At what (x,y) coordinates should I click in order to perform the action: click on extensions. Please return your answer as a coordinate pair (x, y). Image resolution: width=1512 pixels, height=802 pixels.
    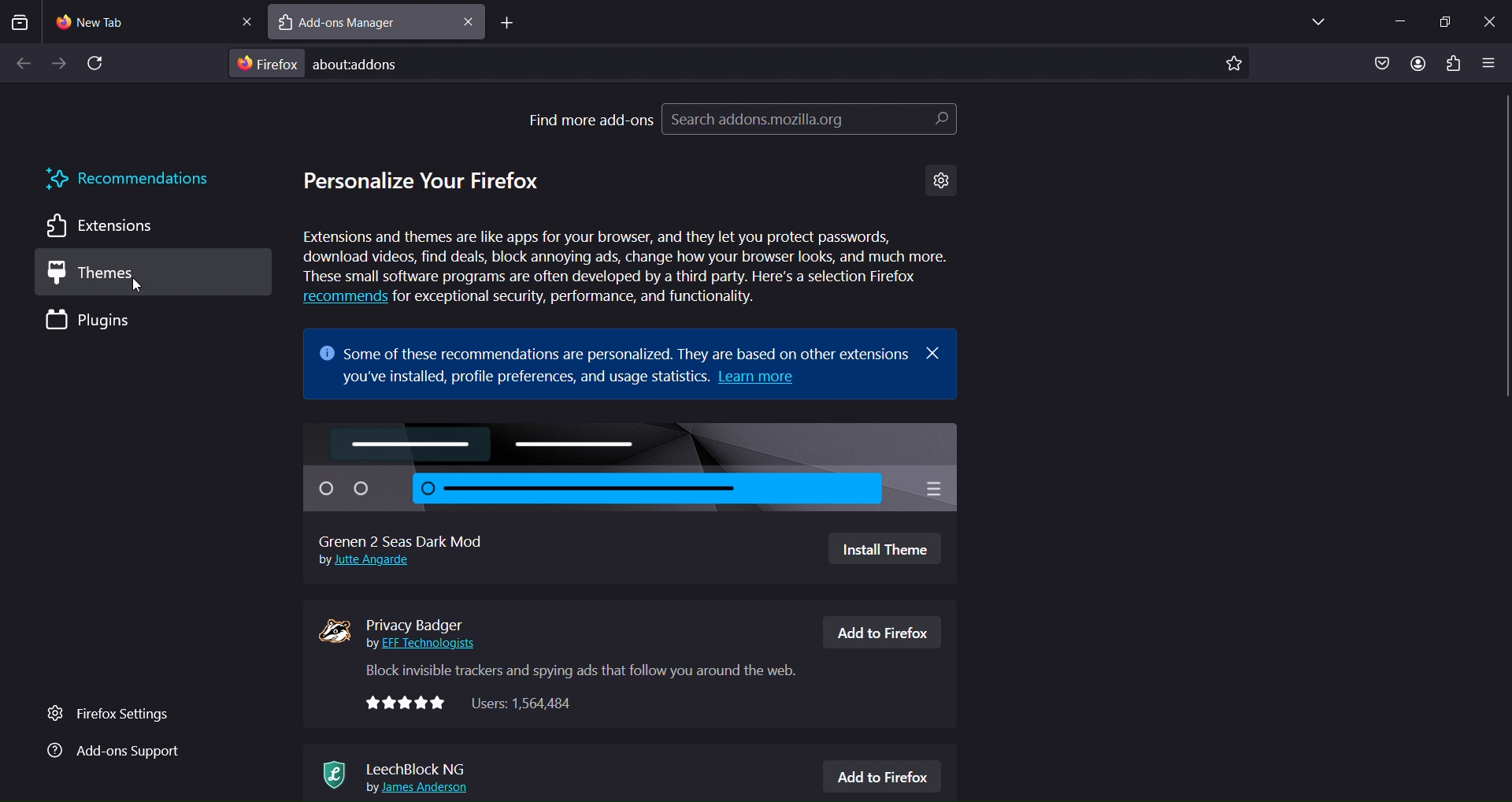
    Looking at the image, I should click on (1451, 63).